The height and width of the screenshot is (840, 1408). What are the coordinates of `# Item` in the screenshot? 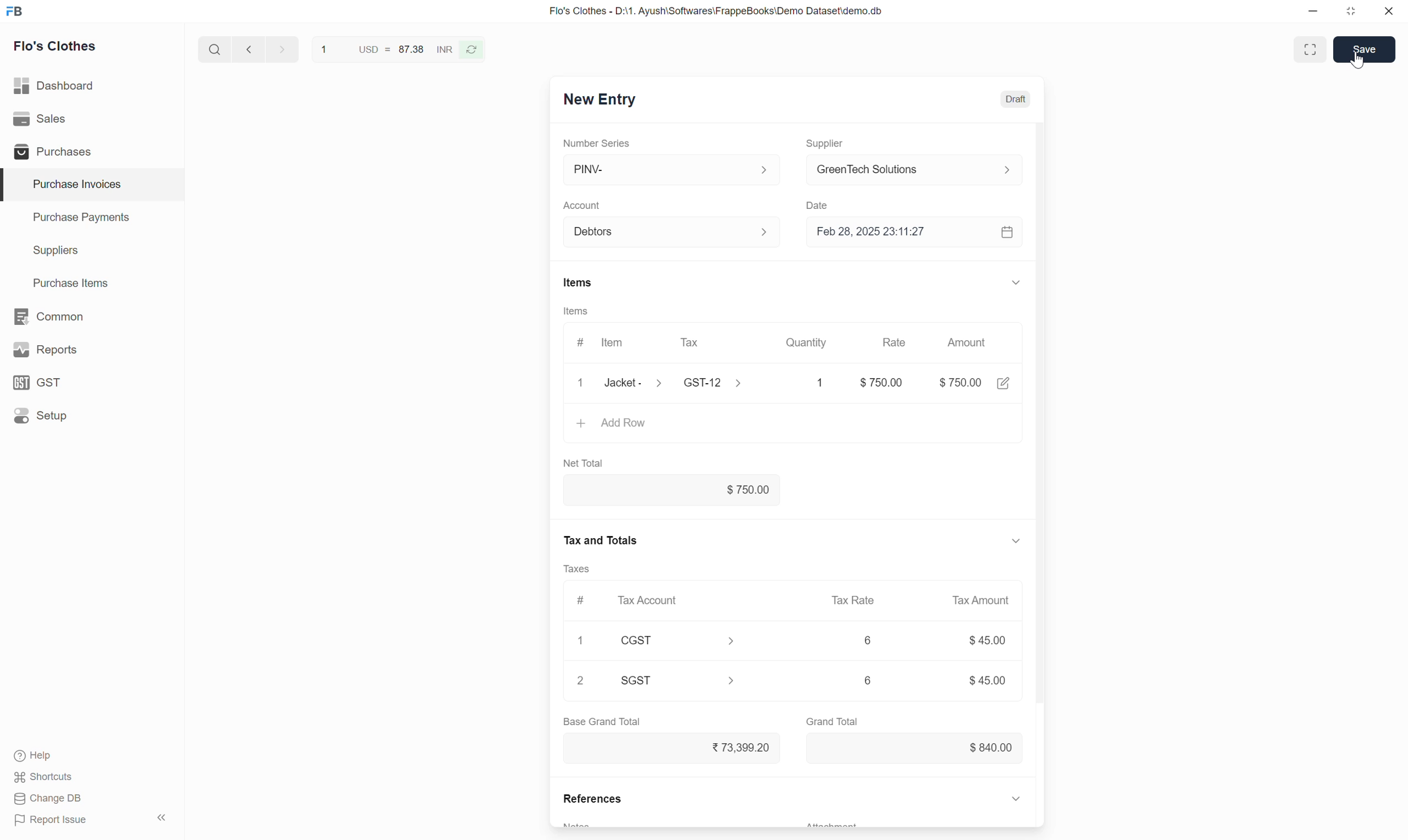 It's located at (604, 344).